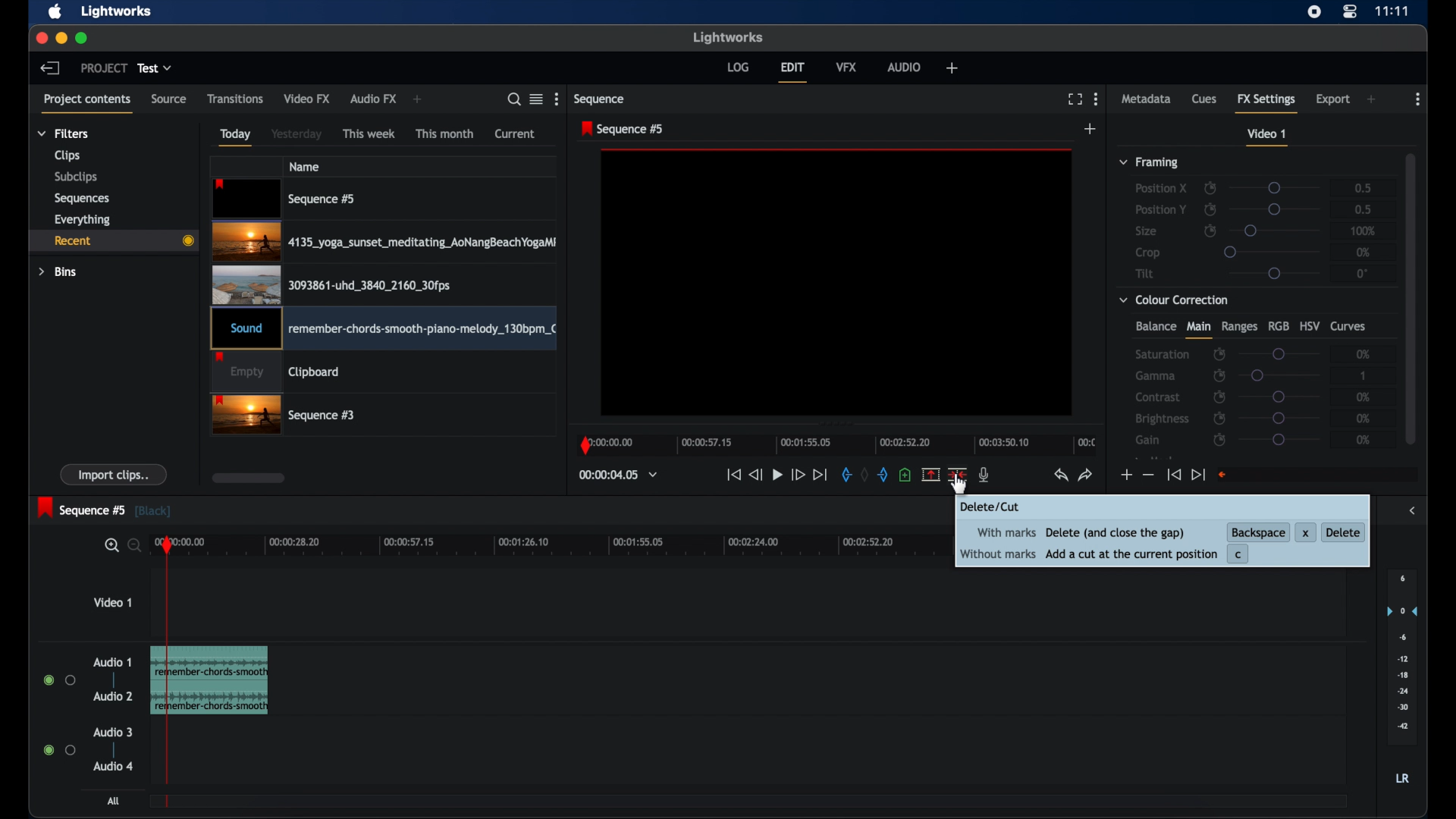 The image size is (1456, 819). What do you see at coordinates (446, 133) in the screenshot?
I see `this month` at bounding box center [446, 133].